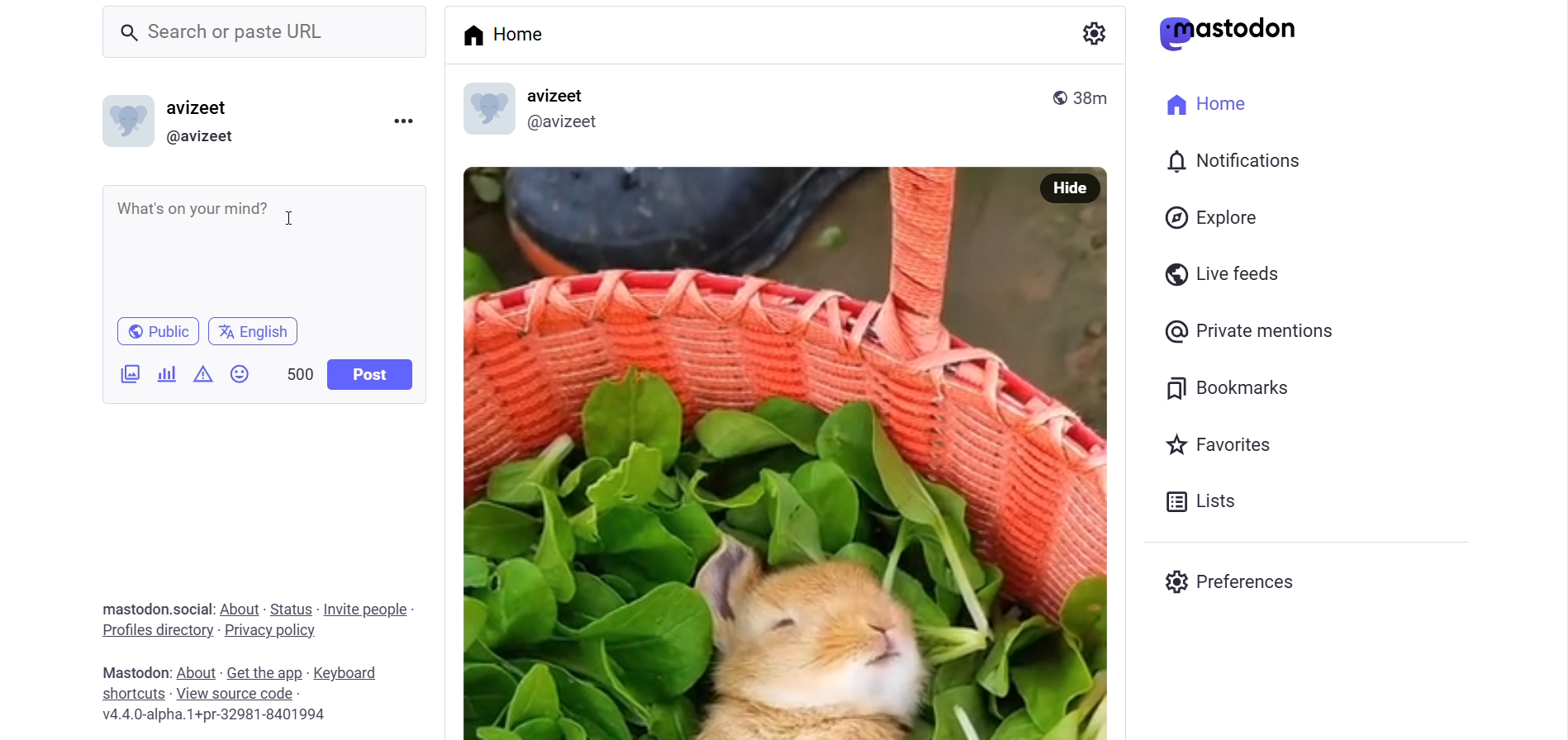 The height and width of the screenshot is (740, 1568). I want to click on display picture, so click(486, 107).